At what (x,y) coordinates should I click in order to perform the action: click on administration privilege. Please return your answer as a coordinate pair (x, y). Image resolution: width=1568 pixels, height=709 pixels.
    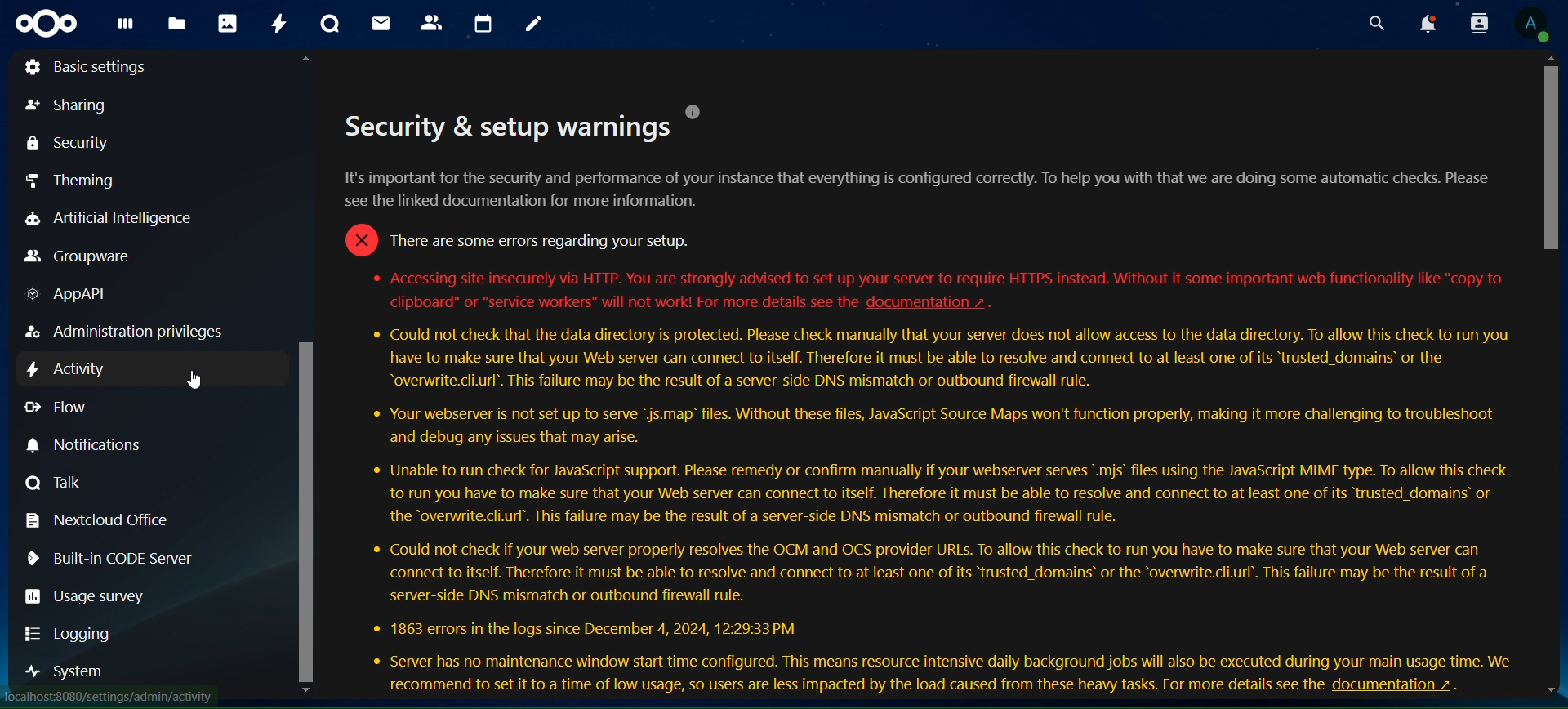
    Looking at the image, I should click on (128, 331).